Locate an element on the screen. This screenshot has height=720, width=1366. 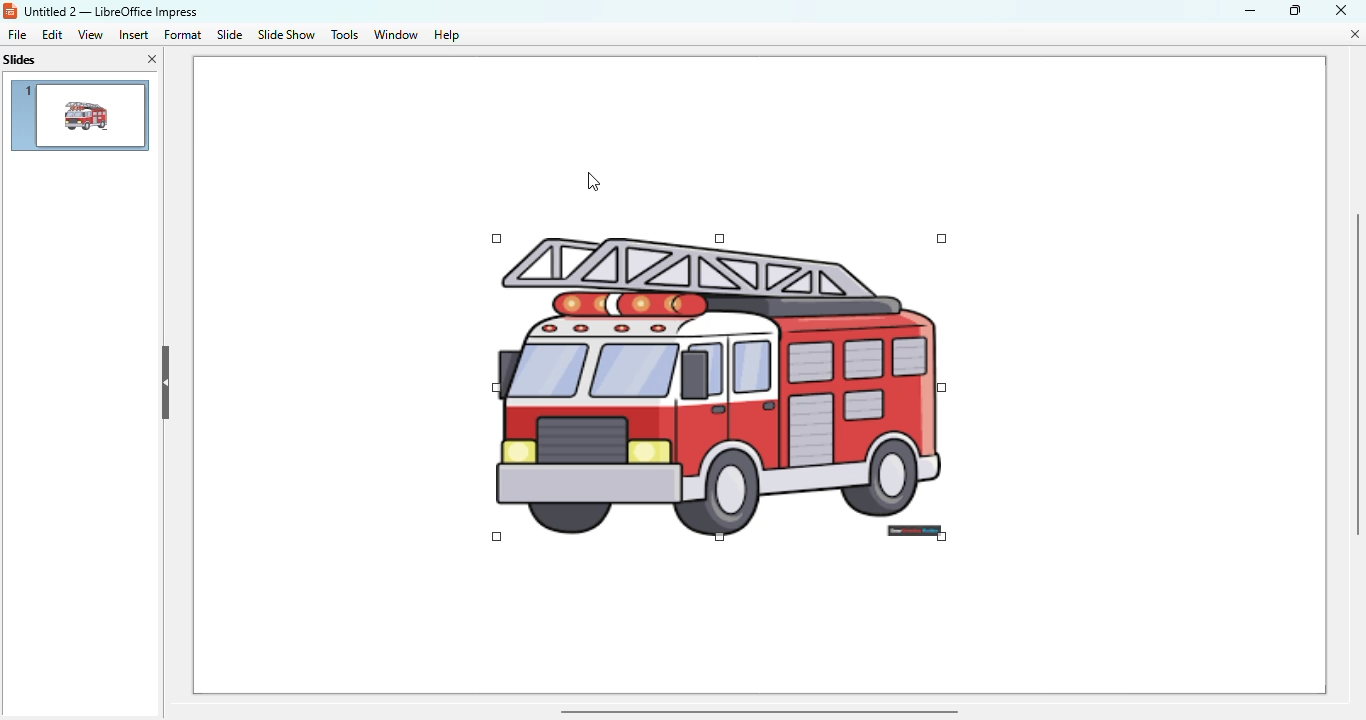
logo is located at coordinates (9, 11).